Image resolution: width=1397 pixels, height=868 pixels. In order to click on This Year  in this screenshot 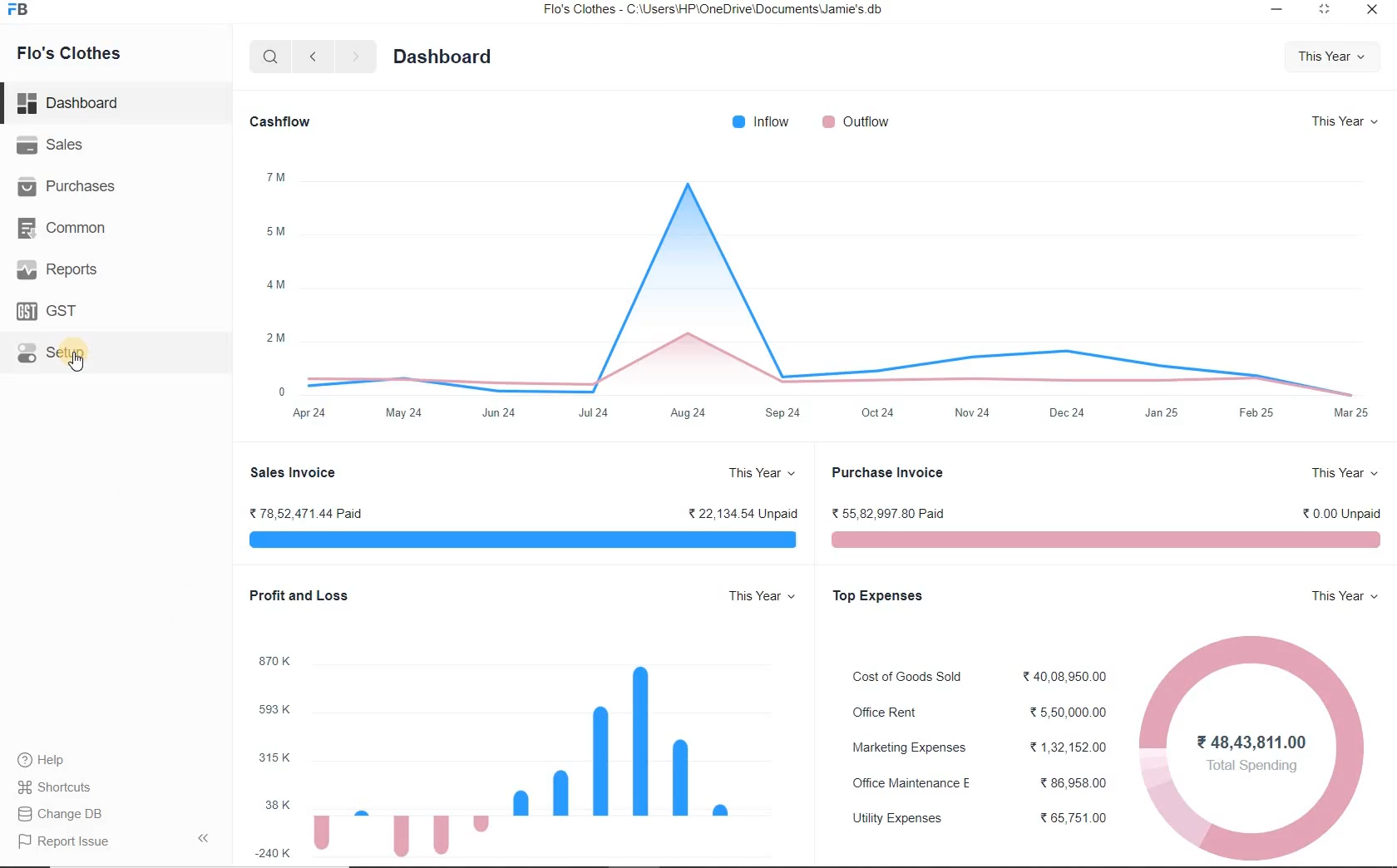, I will do `click(1344, 596)`.